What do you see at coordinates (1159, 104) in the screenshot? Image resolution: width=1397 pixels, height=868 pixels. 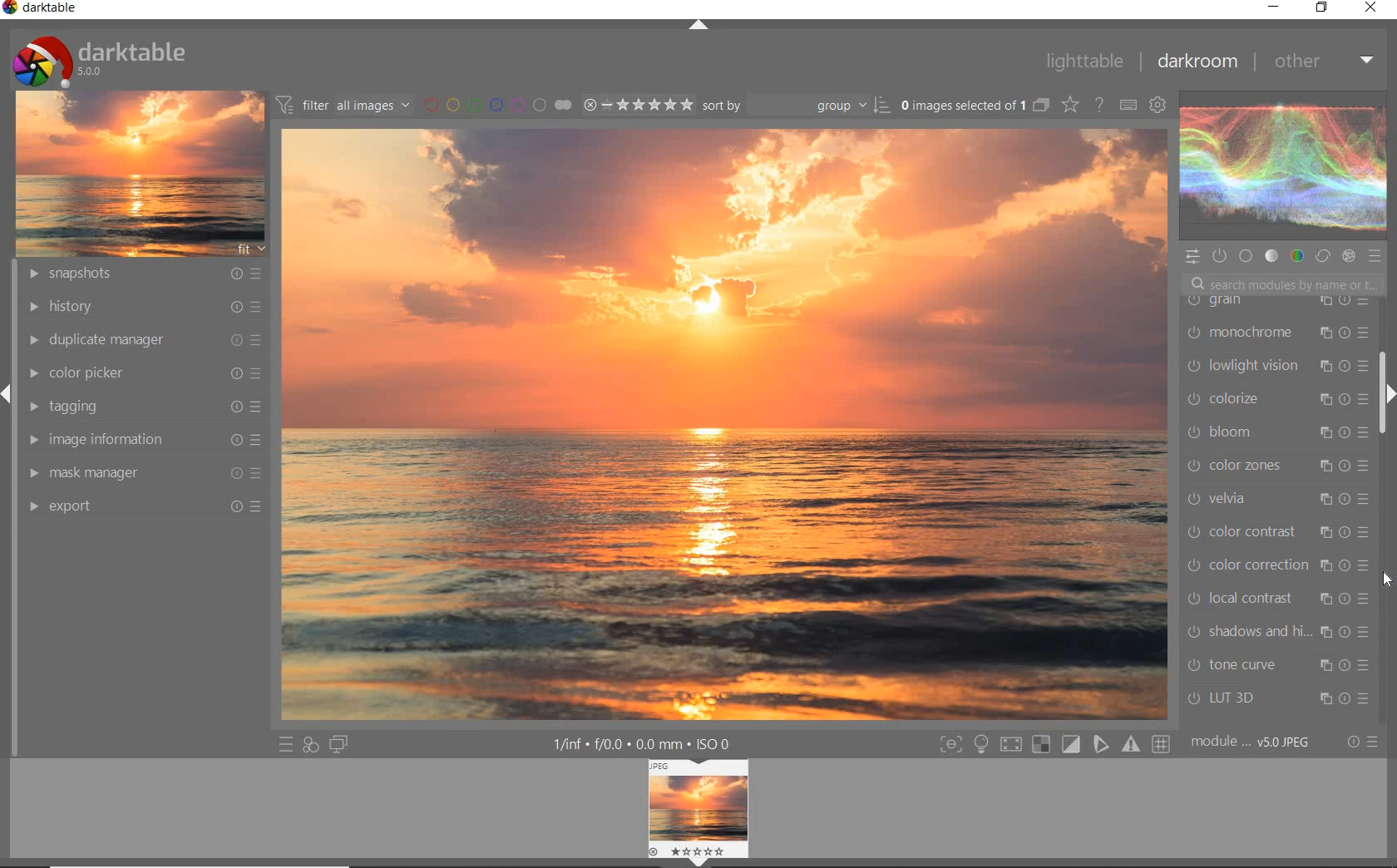 I see `show global preference` at bounding box center [1159, 104].